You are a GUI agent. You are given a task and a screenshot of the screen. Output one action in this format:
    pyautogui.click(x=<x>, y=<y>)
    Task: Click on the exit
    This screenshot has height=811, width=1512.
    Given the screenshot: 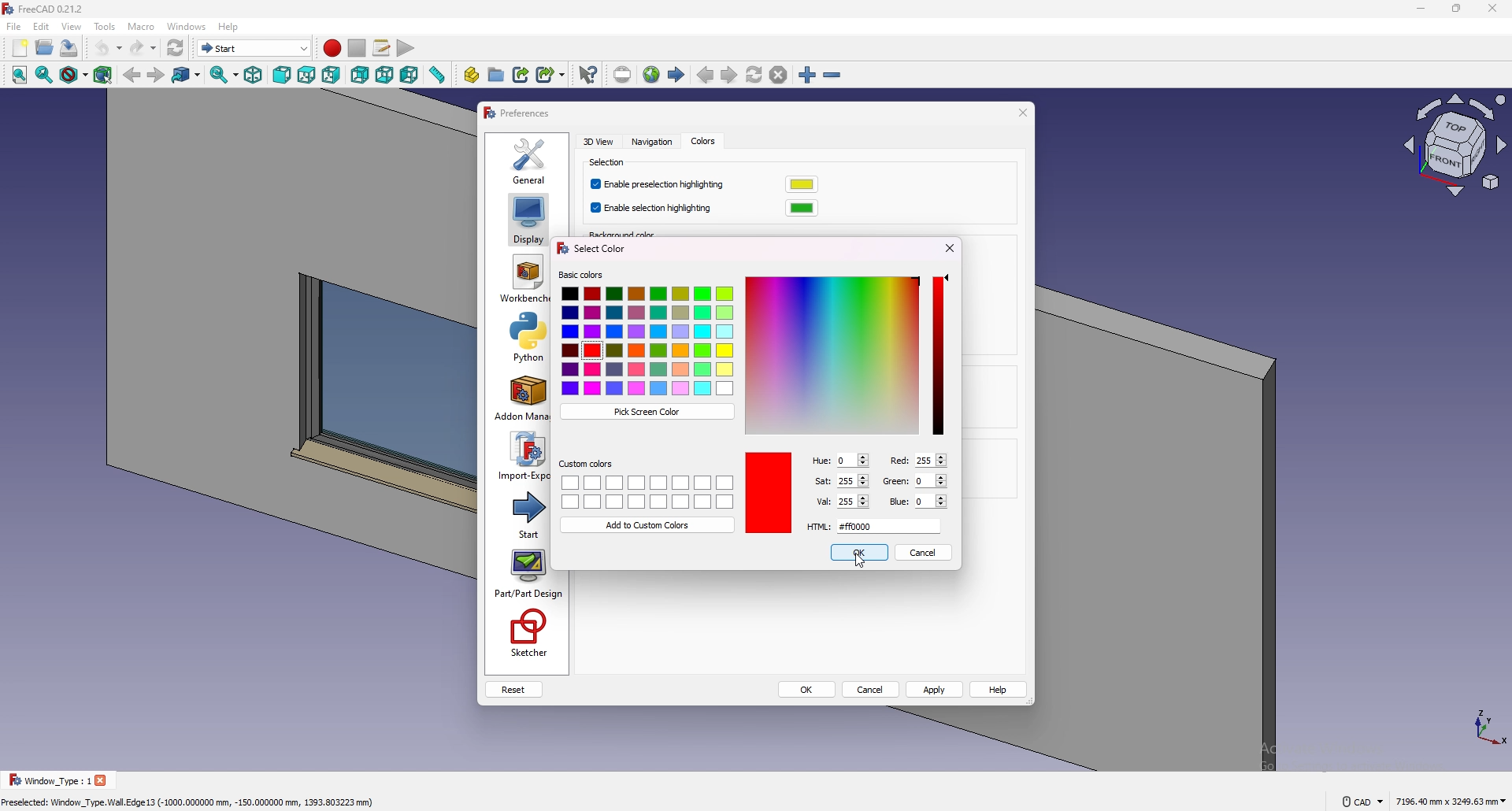 What is the action you would take?
    pyautogui.click(x=1021, y=113)
    